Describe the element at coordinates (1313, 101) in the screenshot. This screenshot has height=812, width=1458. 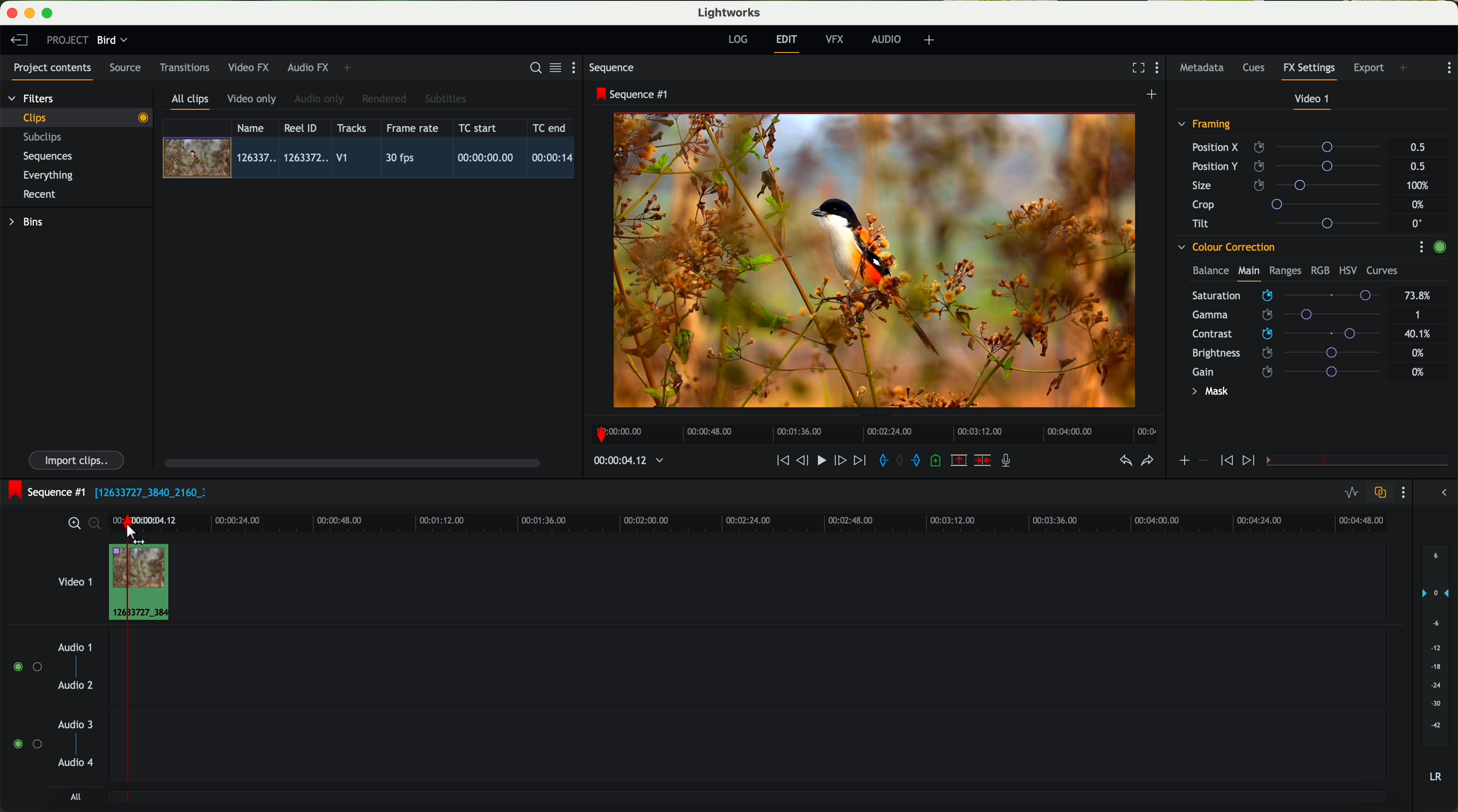
I see `video 1` at that location.